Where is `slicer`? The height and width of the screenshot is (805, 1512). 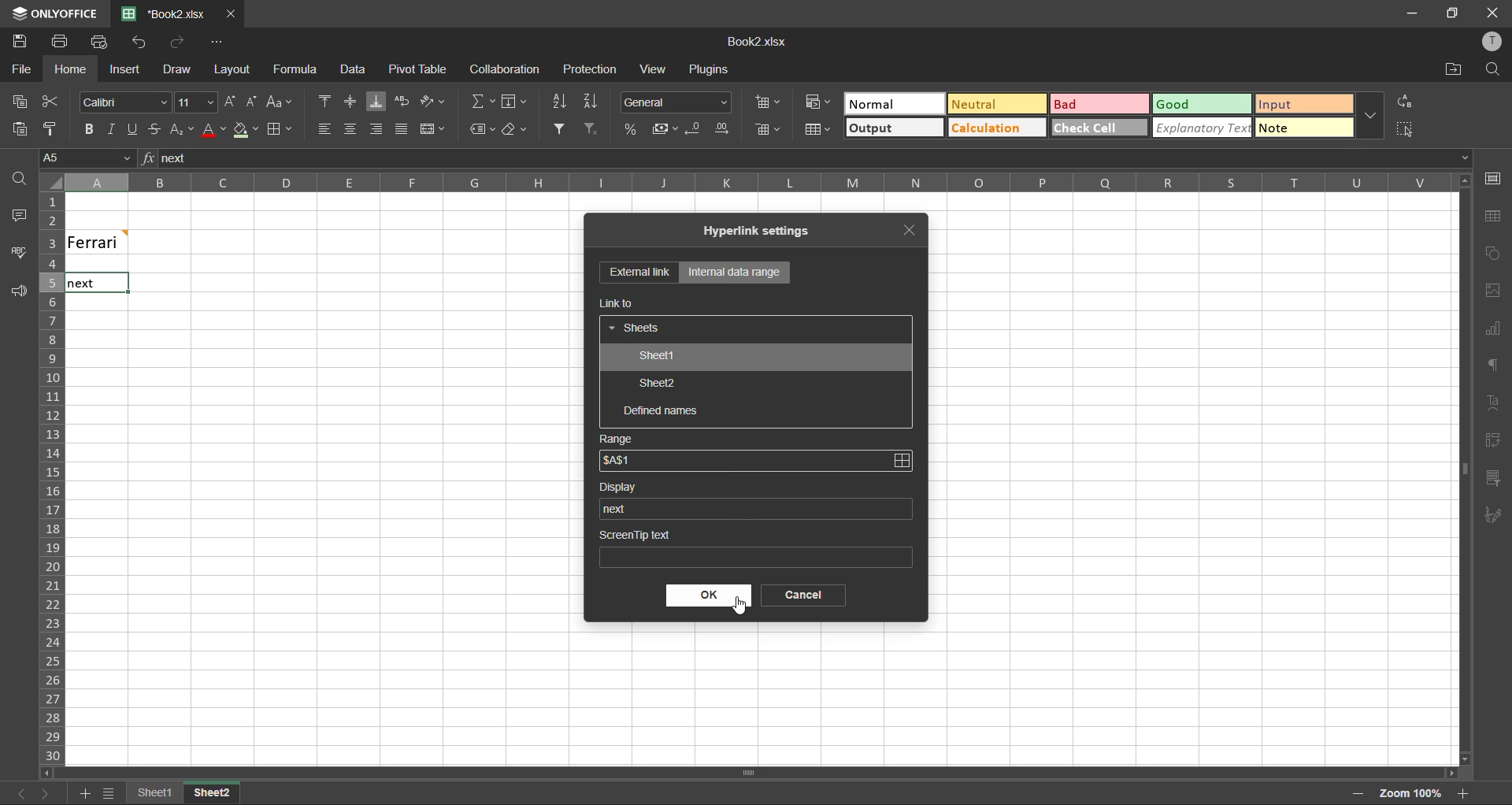
slicer is located at coordinates (1492, 478).